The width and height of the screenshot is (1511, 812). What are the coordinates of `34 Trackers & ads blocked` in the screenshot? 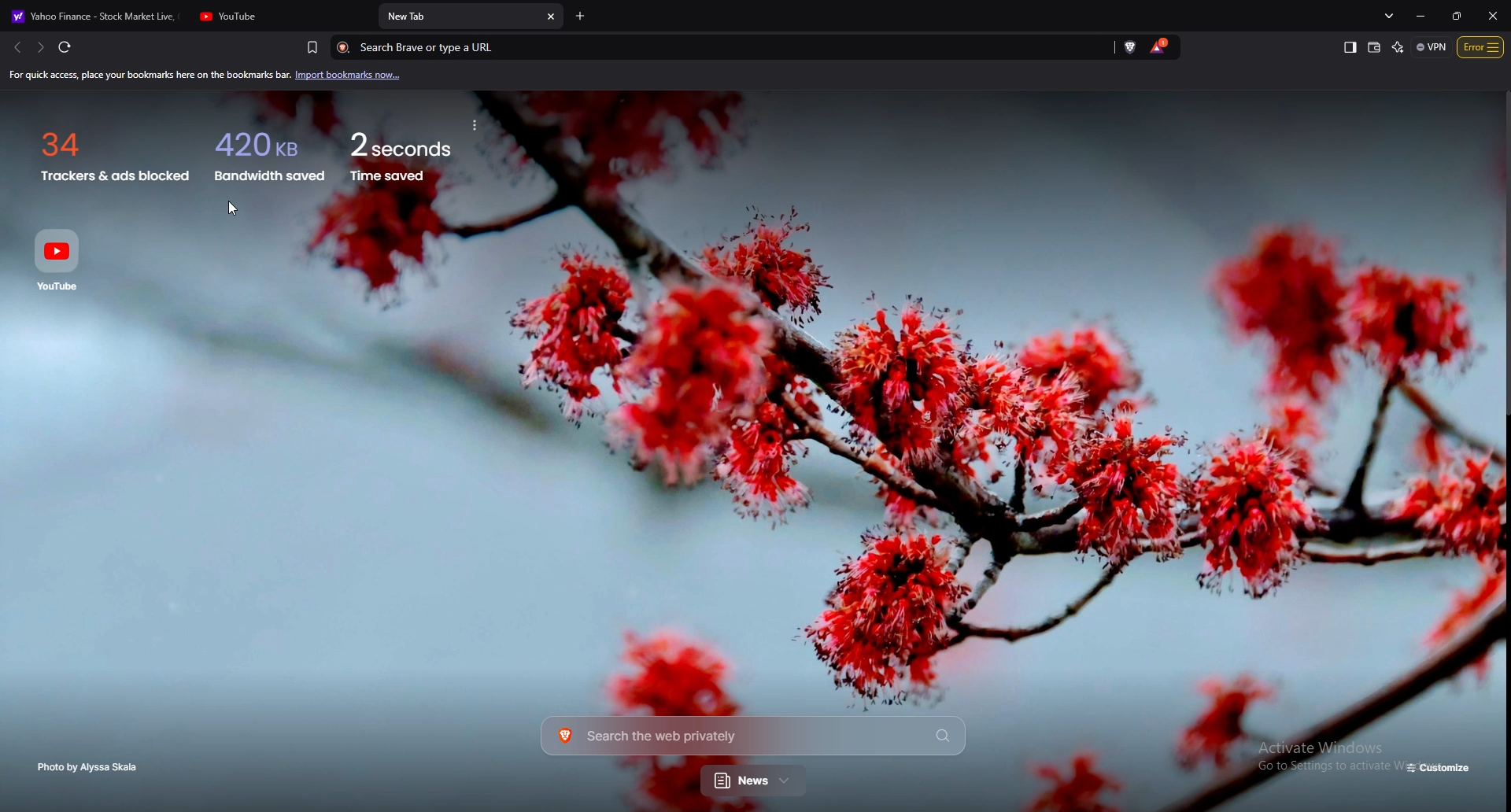 It's located at (107, 151).